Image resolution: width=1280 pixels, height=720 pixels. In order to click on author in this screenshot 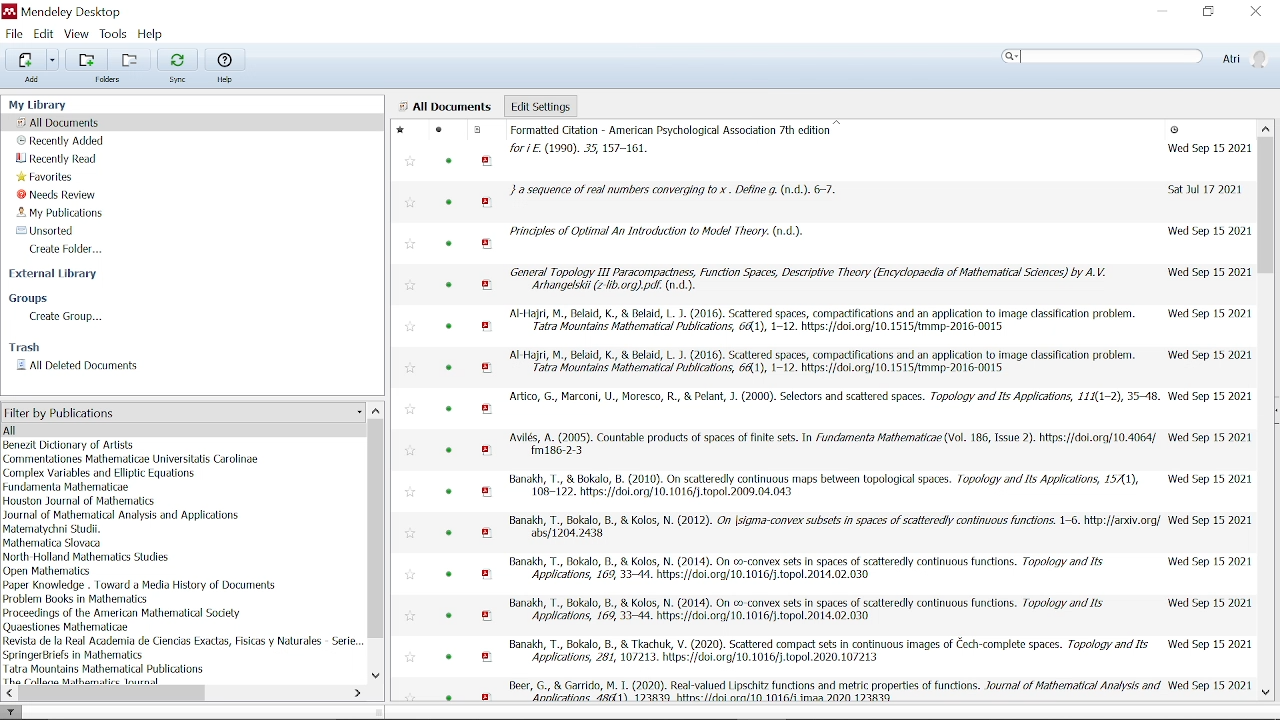, I will do `click(134, 459)`.